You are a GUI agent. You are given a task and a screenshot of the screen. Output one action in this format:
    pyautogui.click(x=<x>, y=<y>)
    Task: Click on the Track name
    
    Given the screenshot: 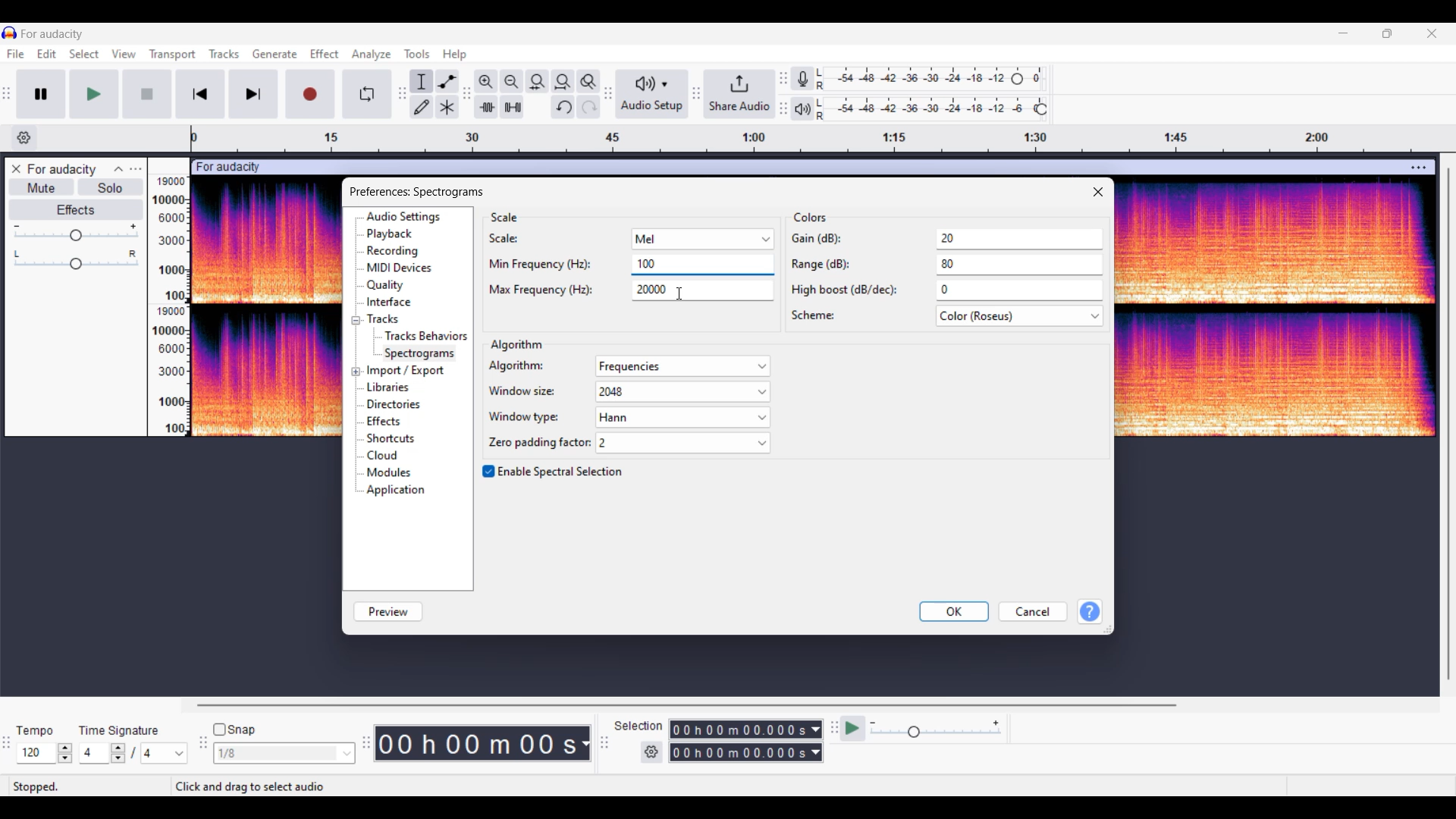 What is the action you would take?
    pyautogui.click(x=62, y=169)
    